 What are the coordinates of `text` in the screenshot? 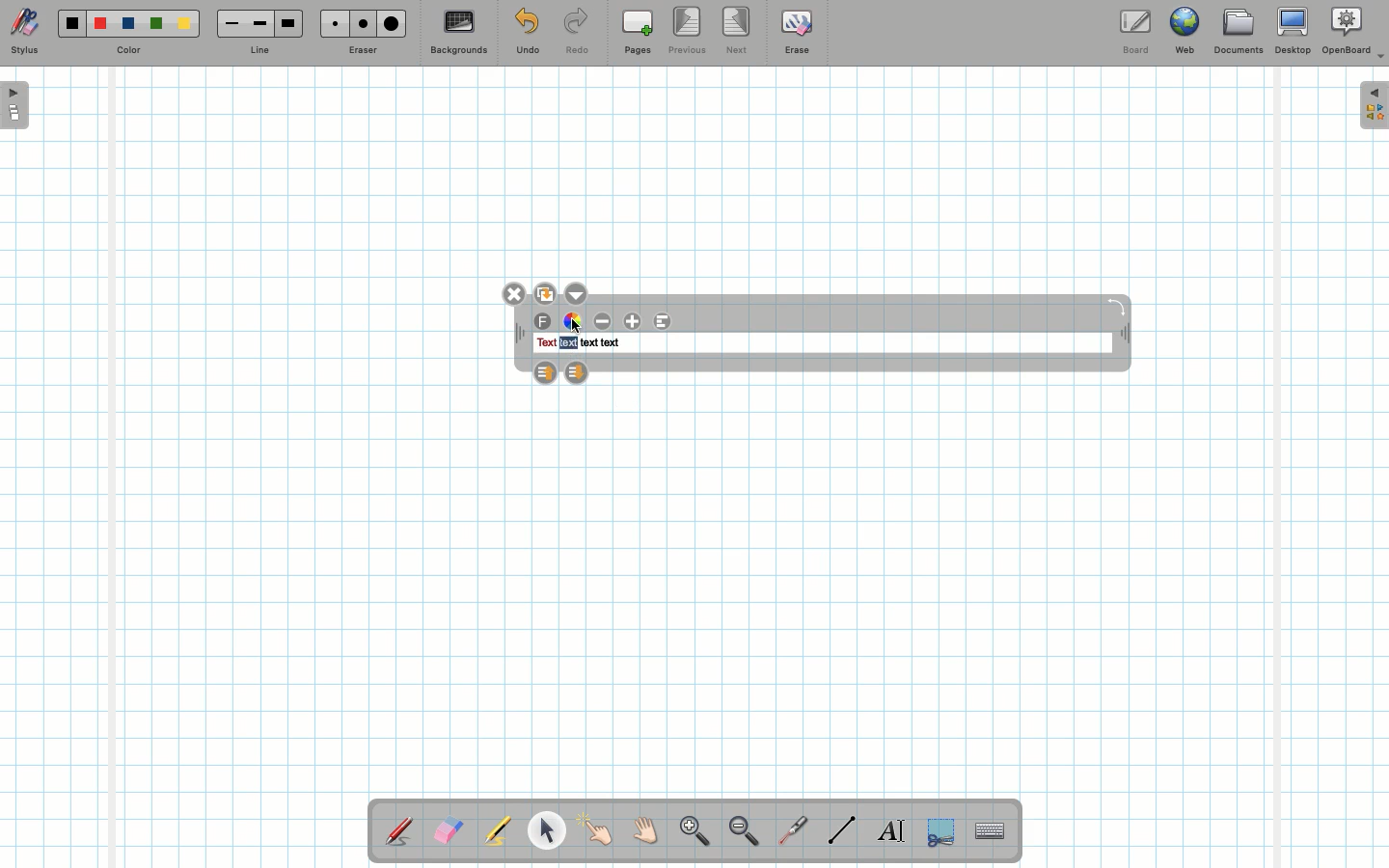 It's located at (611, 343).